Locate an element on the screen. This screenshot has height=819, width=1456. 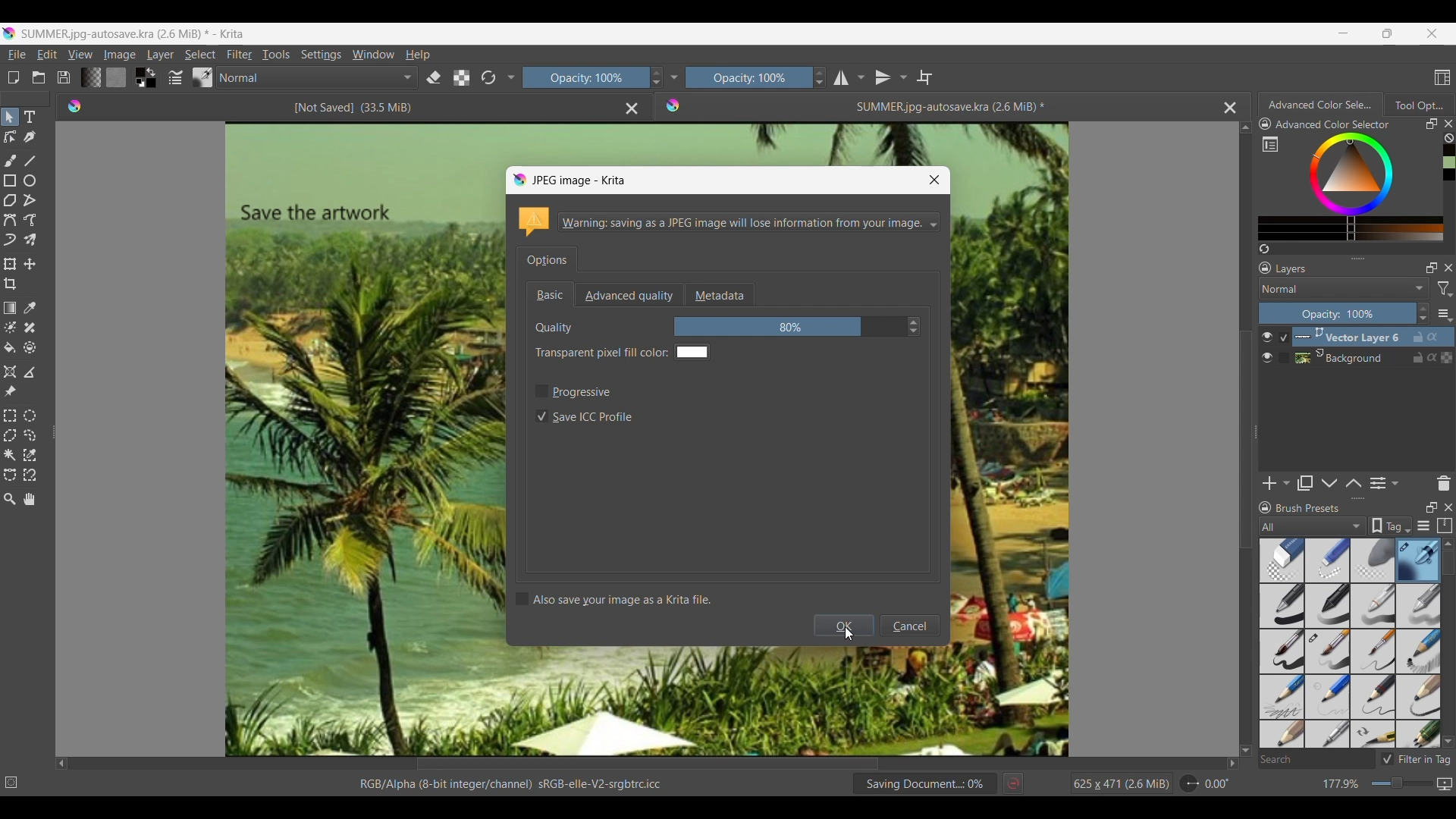
Opacity scale is located at coordinates (745, 77).